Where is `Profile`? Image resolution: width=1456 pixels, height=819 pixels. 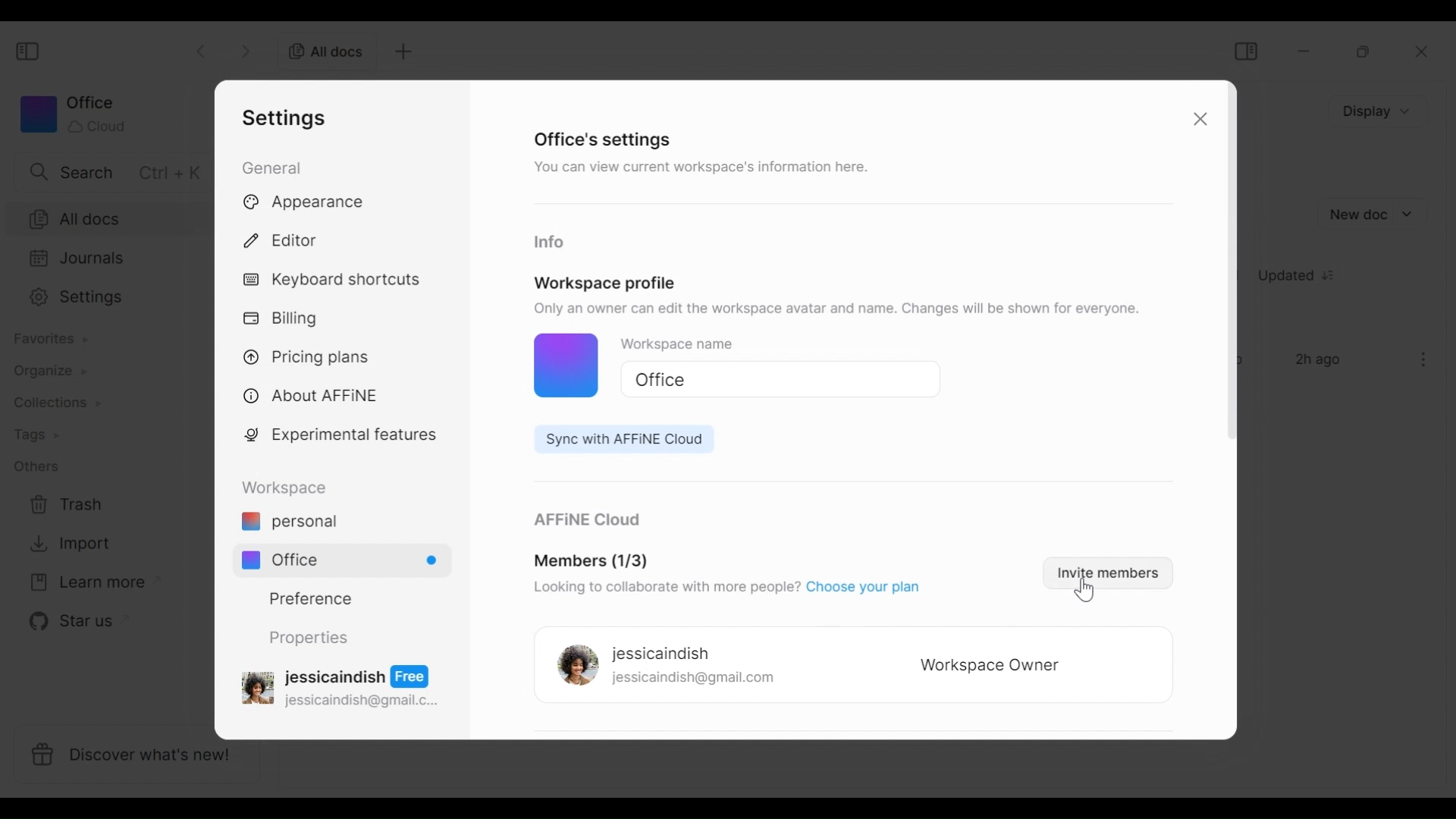 Profile is located at coordinates (557, 367).